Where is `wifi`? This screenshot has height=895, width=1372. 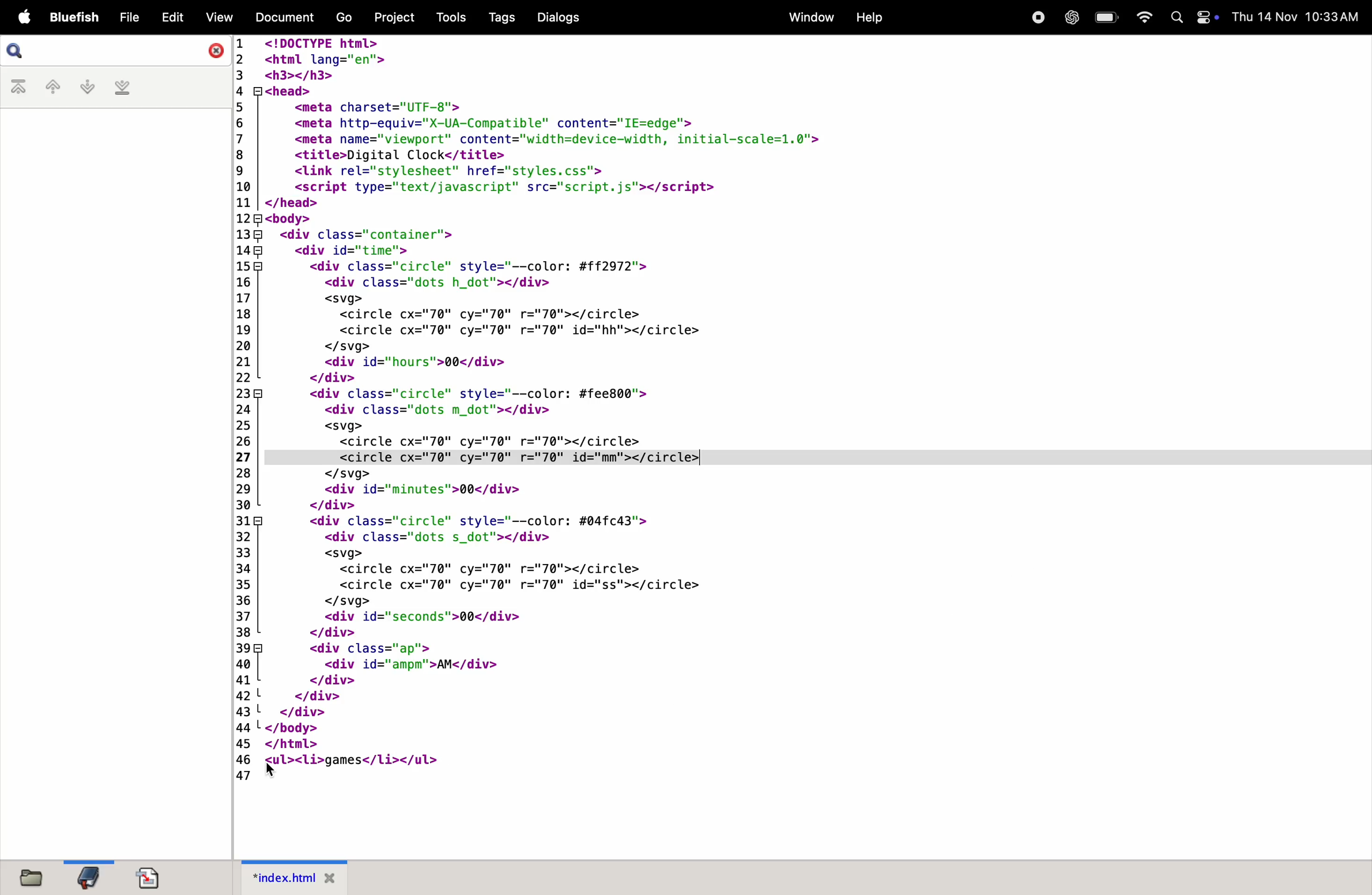
wifi is located at coordinates (1143, 16).